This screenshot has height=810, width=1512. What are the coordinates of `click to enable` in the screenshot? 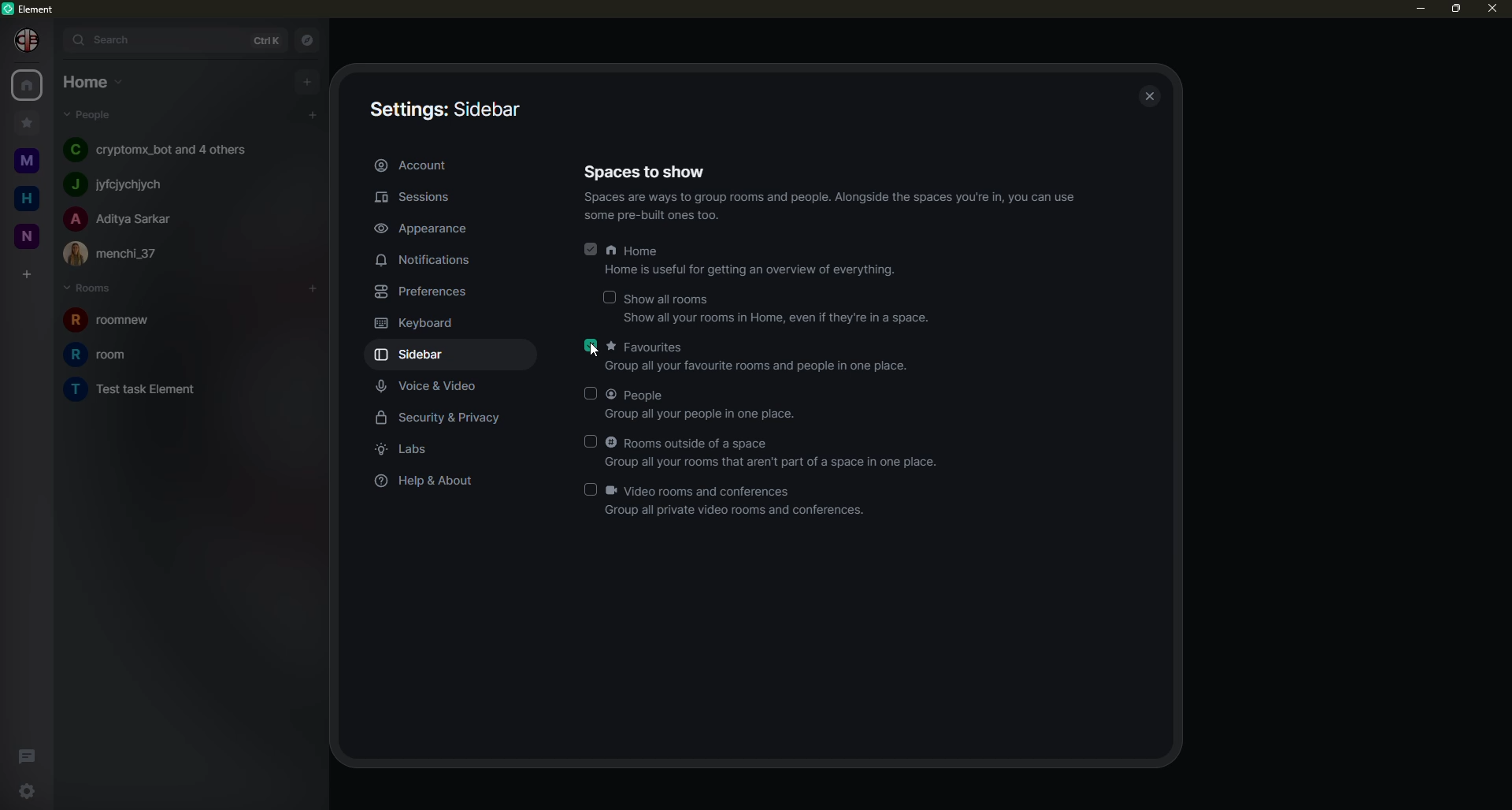 It's located at (610, 298).